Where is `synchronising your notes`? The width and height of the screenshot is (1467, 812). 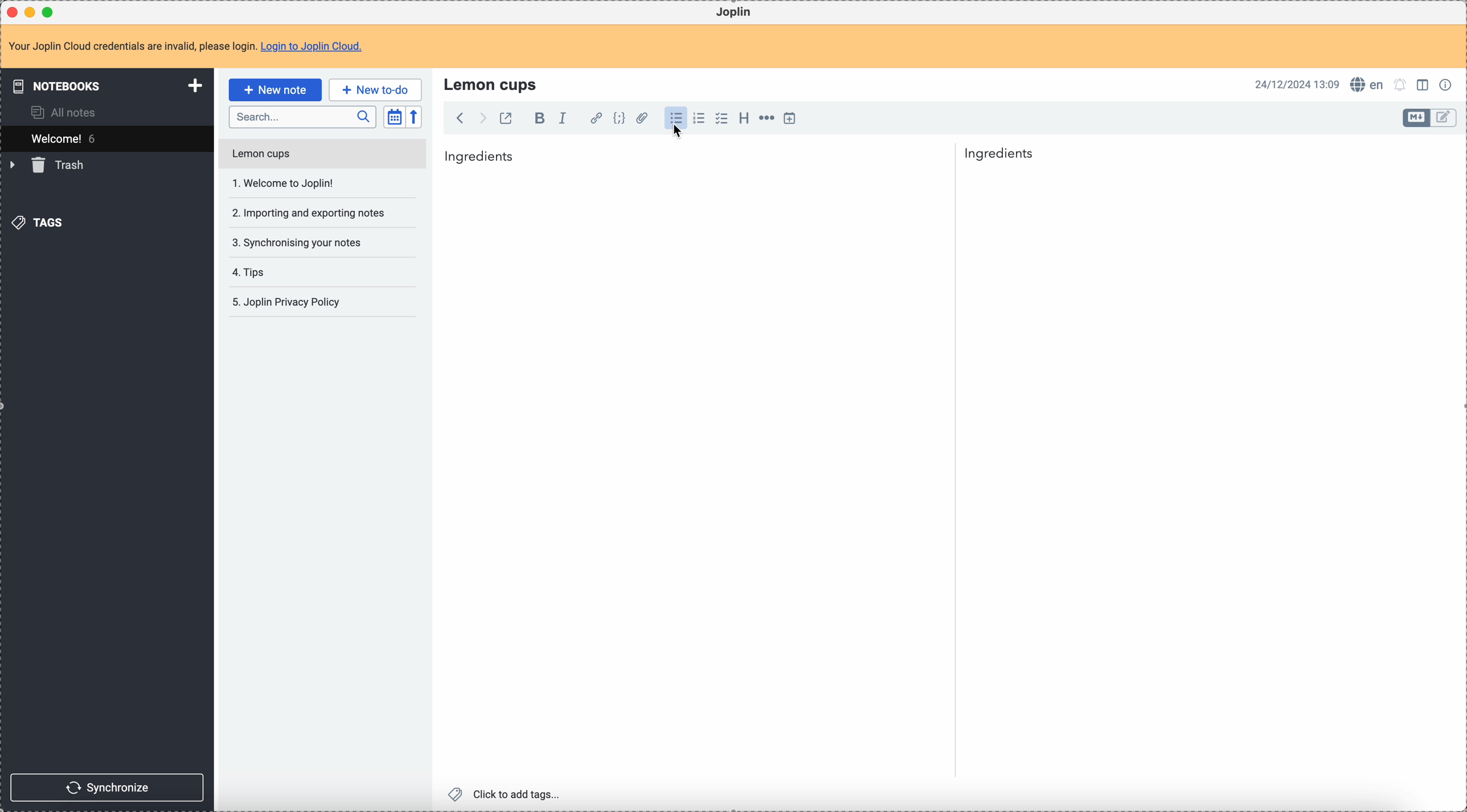 synchronising your notes is located at coordinates (296, 241).